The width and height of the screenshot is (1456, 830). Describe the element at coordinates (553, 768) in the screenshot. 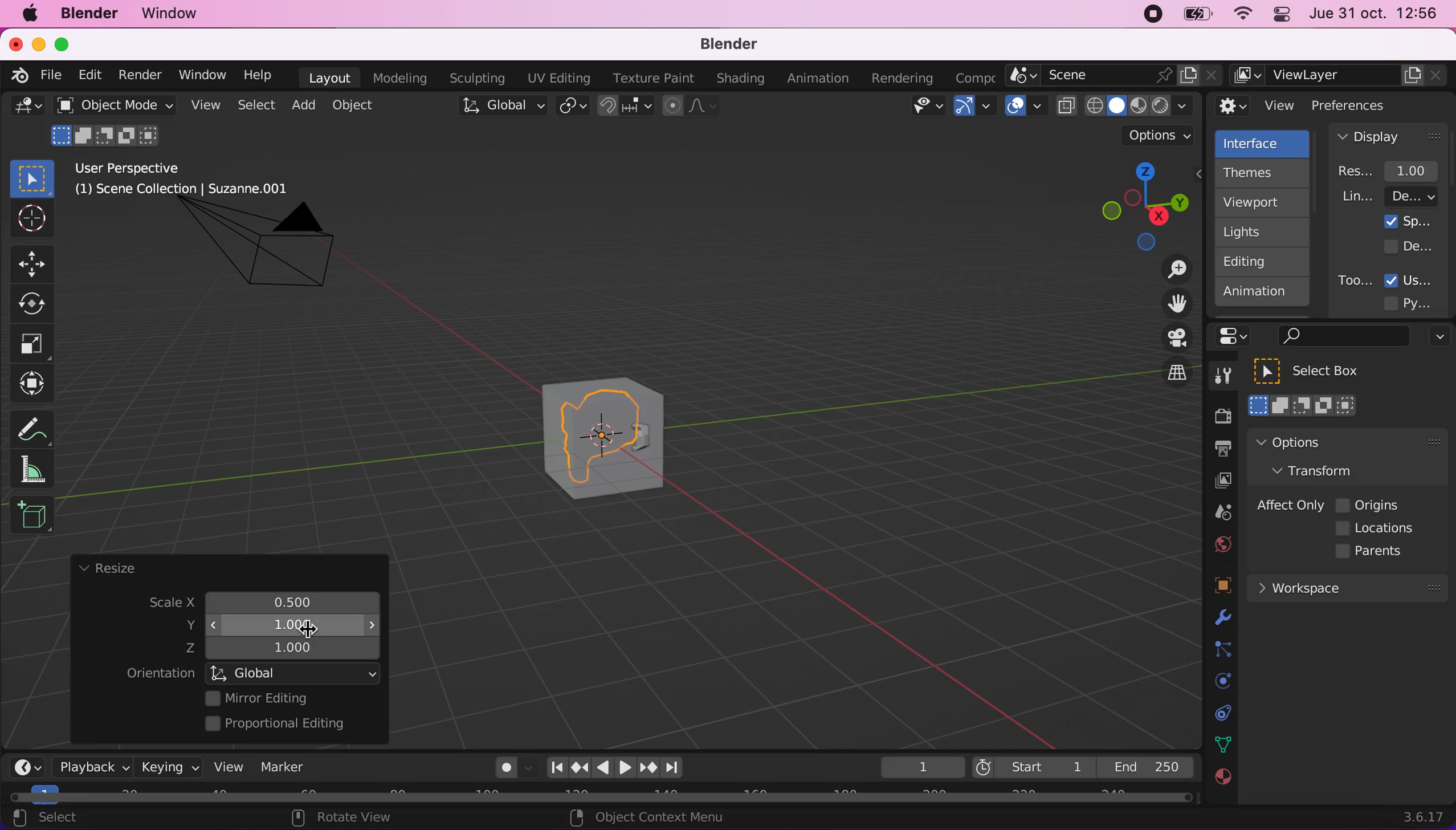

I see `jump to end point` at that location.